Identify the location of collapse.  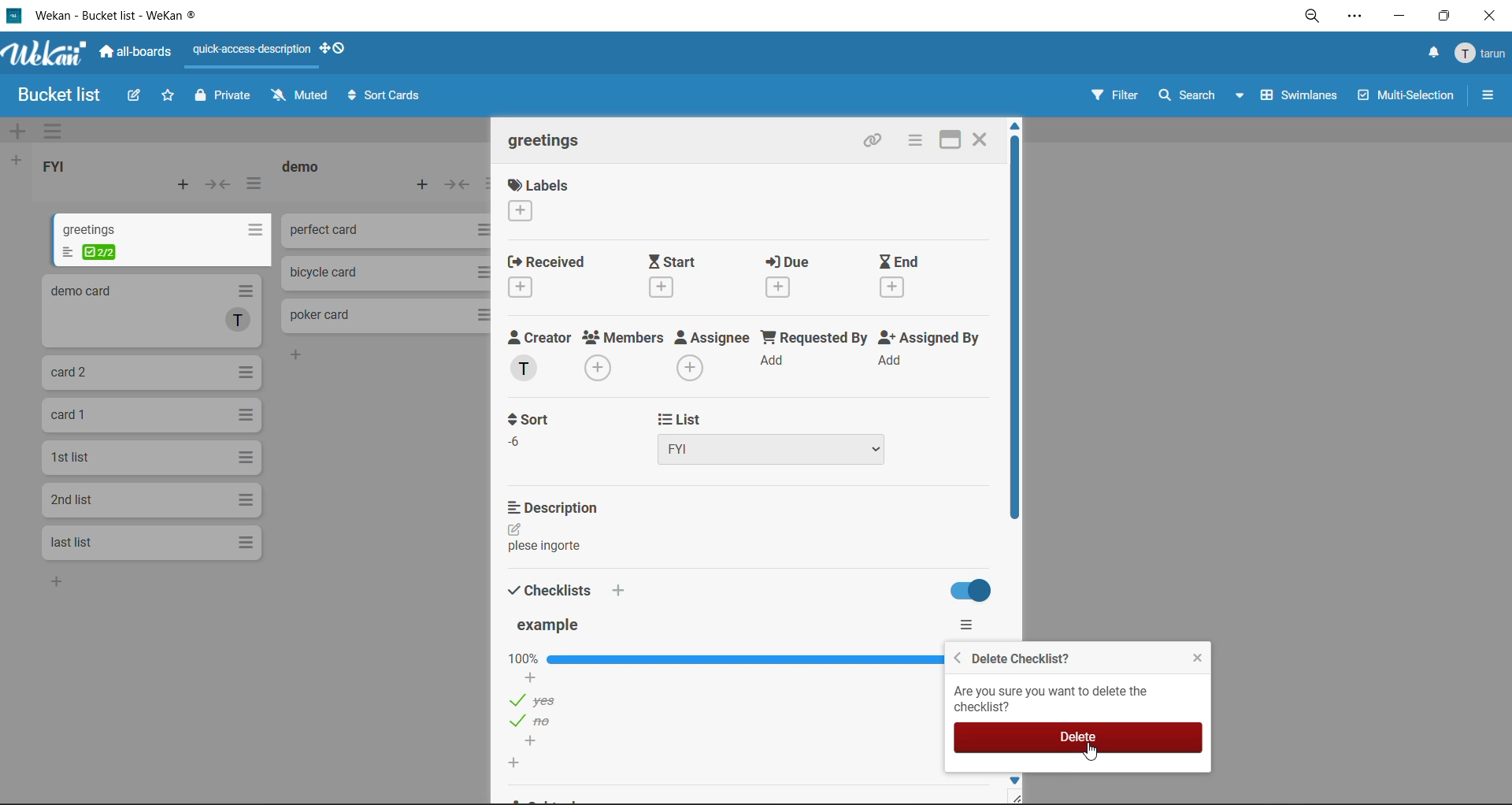
(458, 185).